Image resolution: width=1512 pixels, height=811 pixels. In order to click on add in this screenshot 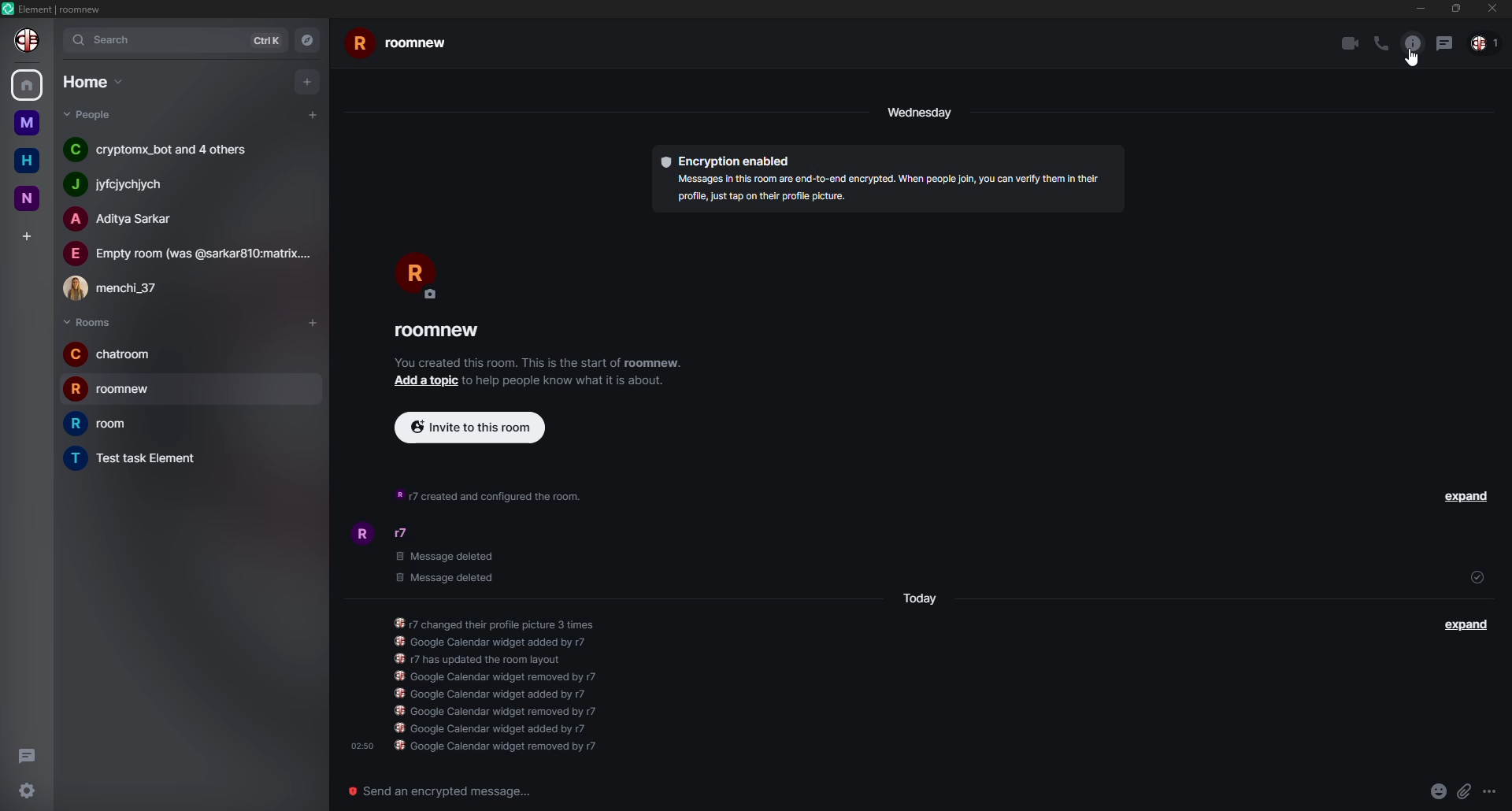, I will do `click(27, 236)`.